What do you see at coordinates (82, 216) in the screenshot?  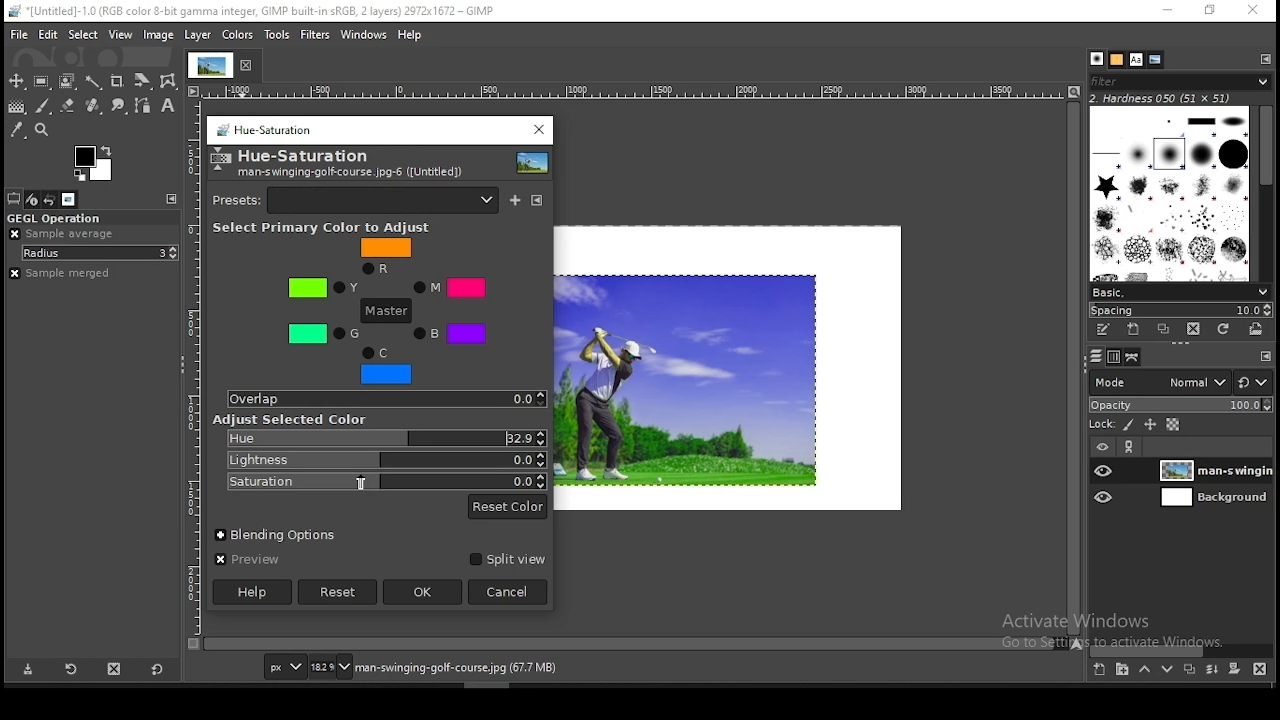 I see `GEGL operation` at bounding box center [82, 216].